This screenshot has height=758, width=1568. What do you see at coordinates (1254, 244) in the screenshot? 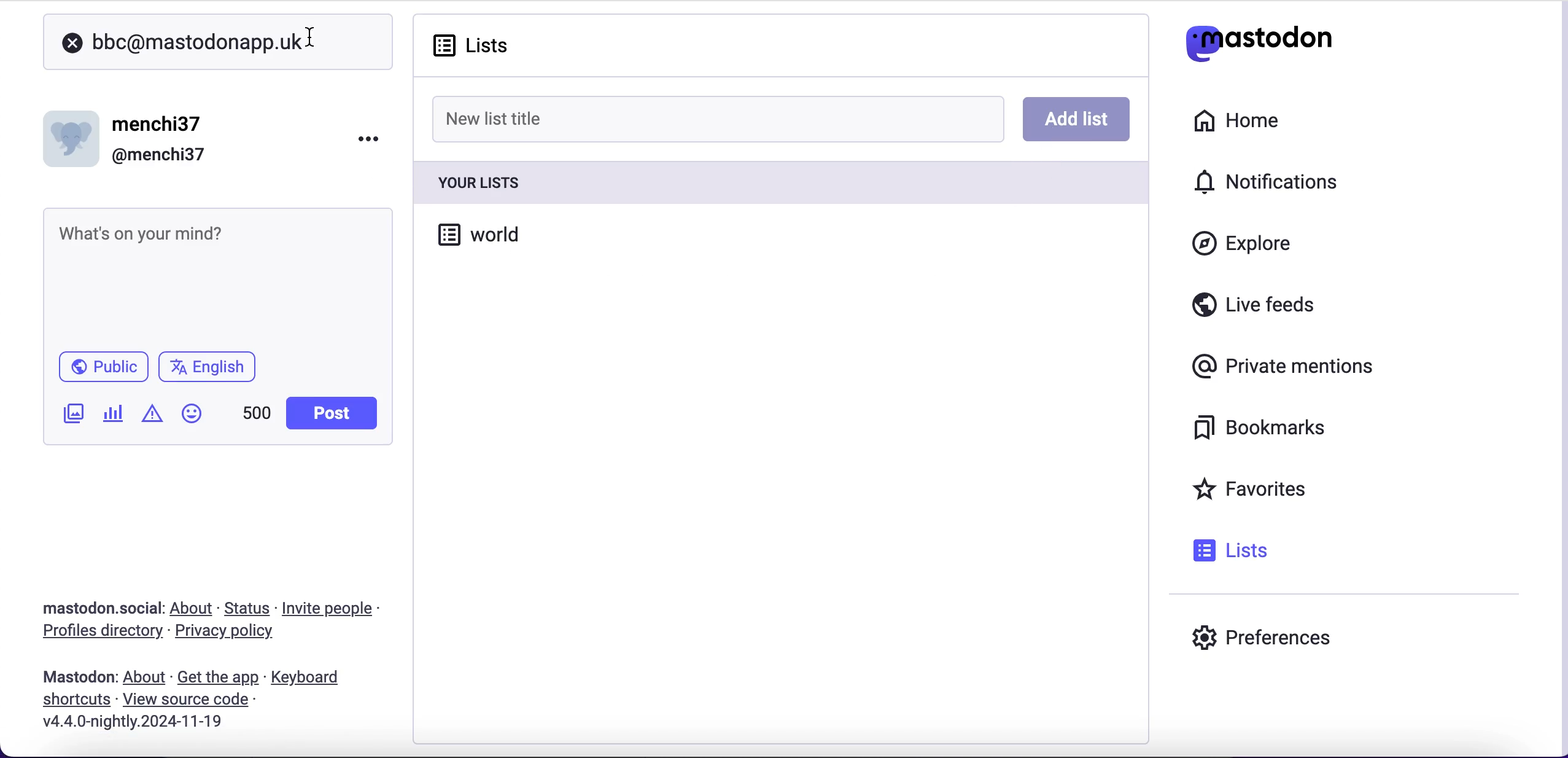
I see `explore` at bounding box center [1254, 244].